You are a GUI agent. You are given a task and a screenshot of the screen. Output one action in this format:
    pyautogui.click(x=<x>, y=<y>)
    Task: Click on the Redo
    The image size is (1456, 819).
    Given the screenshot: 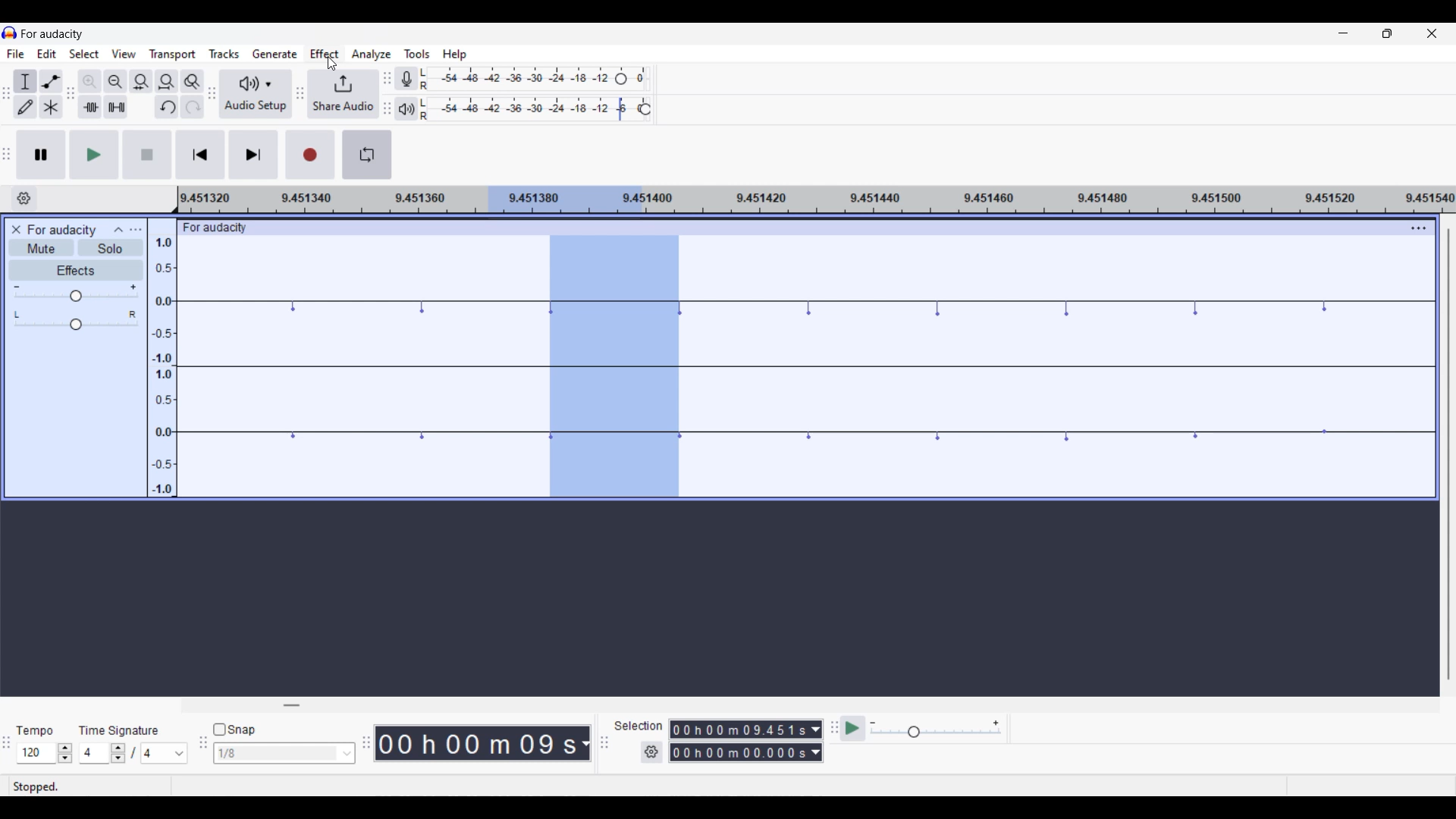 What is the action you would take?
    pyautogui.click(x=193, y=106)
    